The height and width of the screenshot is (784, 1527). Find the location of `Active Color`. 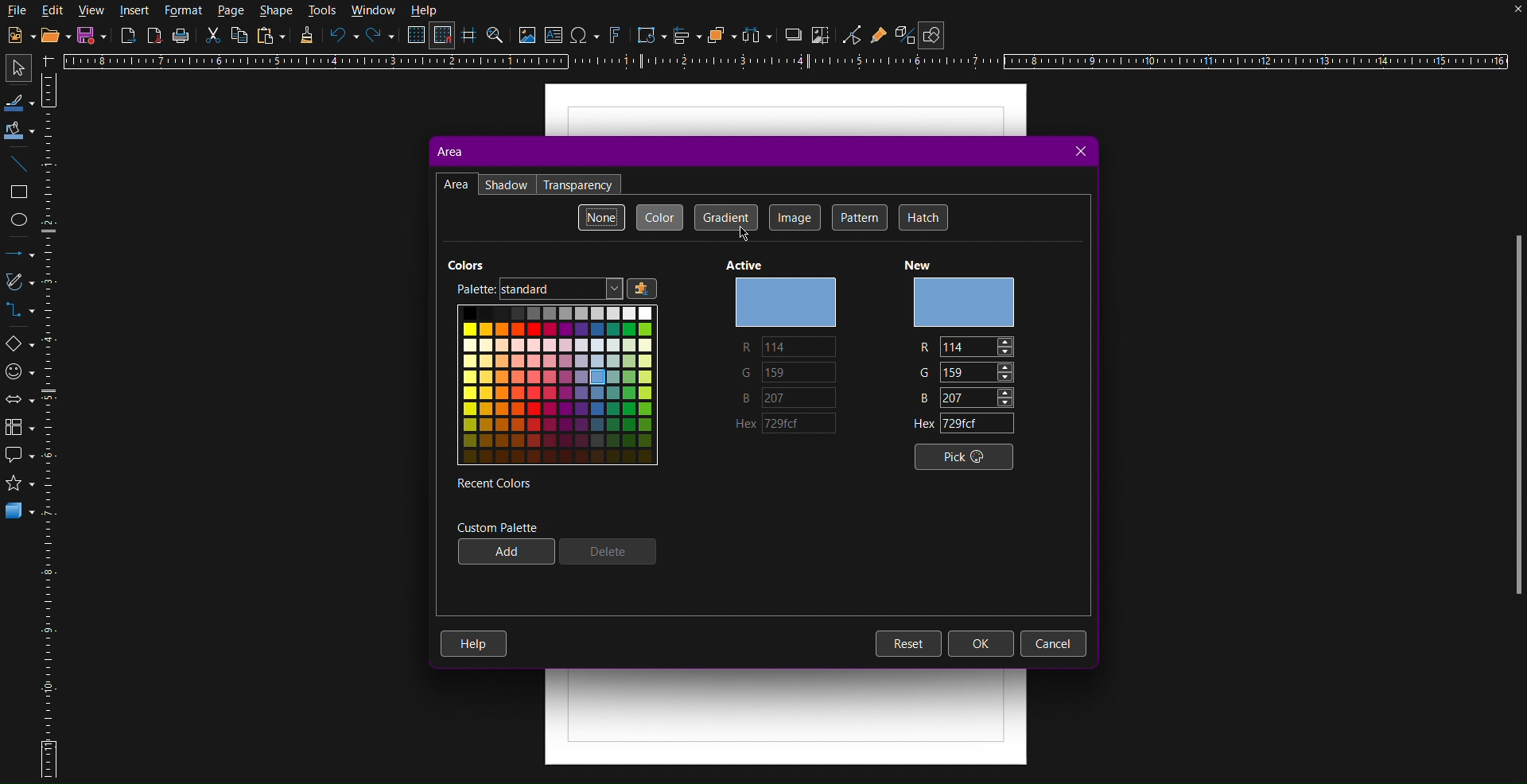

Active Color is located at coordinates (785, 301).